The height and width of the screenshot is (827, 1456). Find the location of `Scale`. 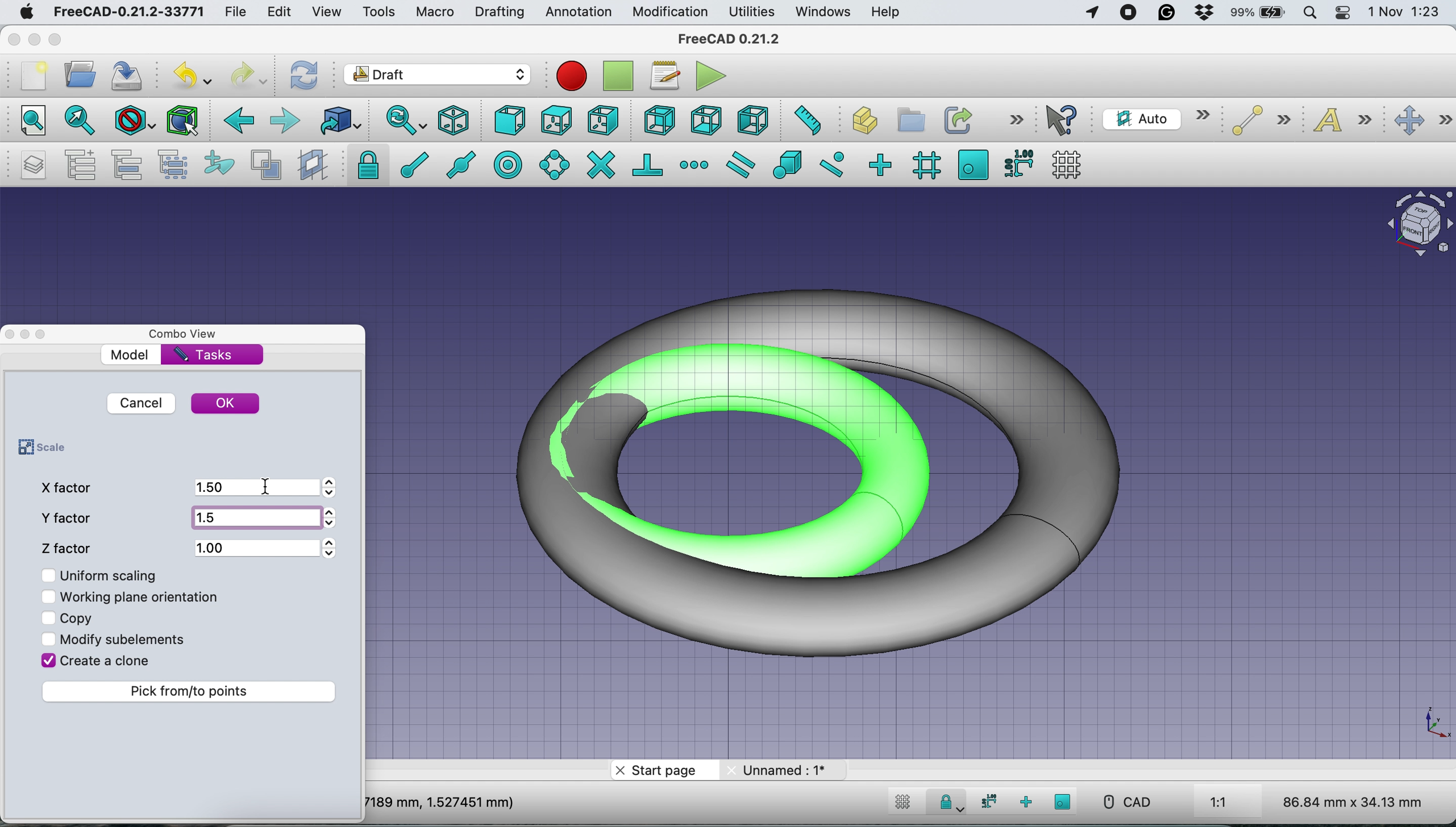

Scale is located at coordinates (1434, 724).